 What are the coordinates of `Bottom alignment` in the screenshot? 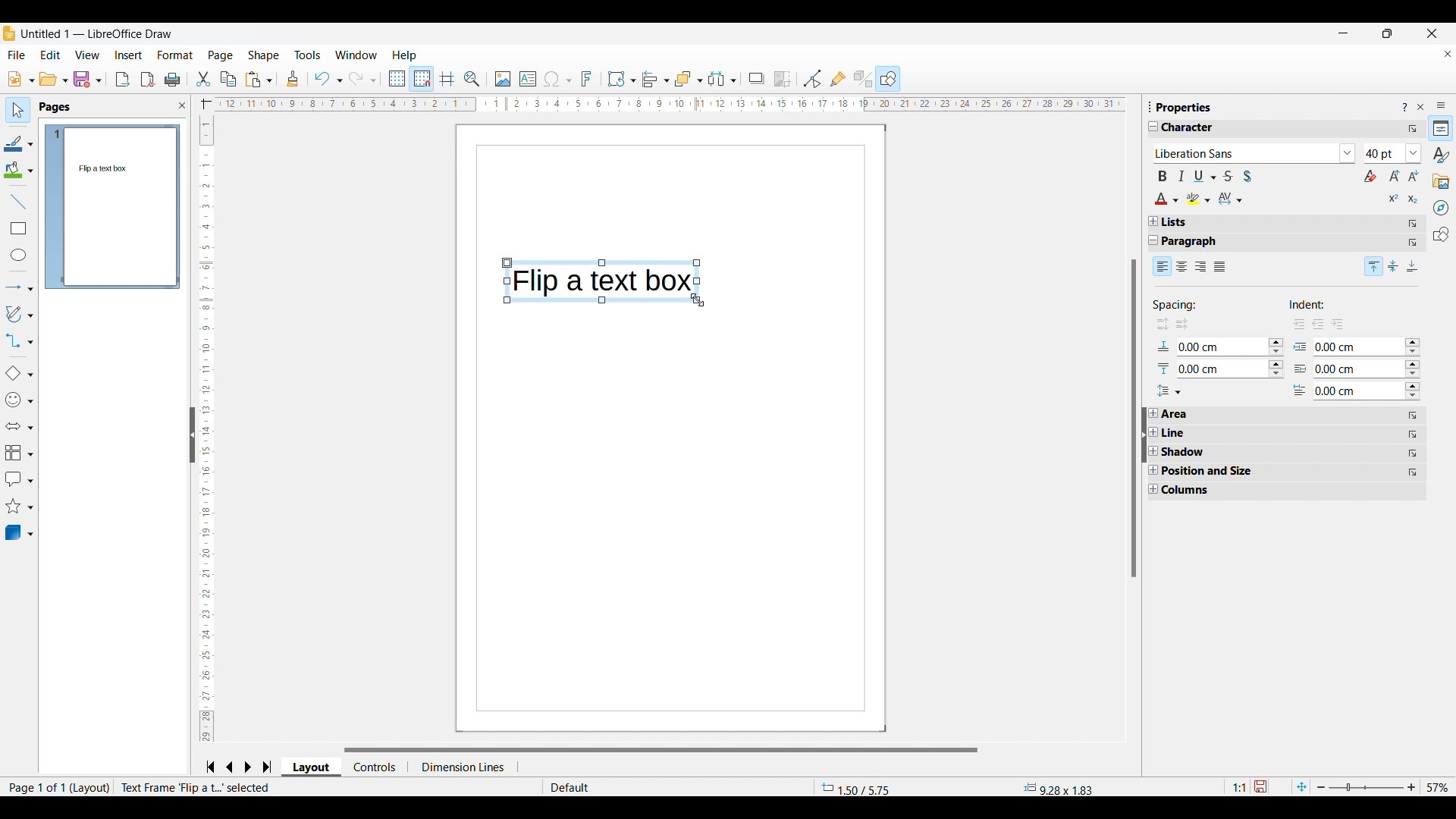 It's located at (1414, 266).